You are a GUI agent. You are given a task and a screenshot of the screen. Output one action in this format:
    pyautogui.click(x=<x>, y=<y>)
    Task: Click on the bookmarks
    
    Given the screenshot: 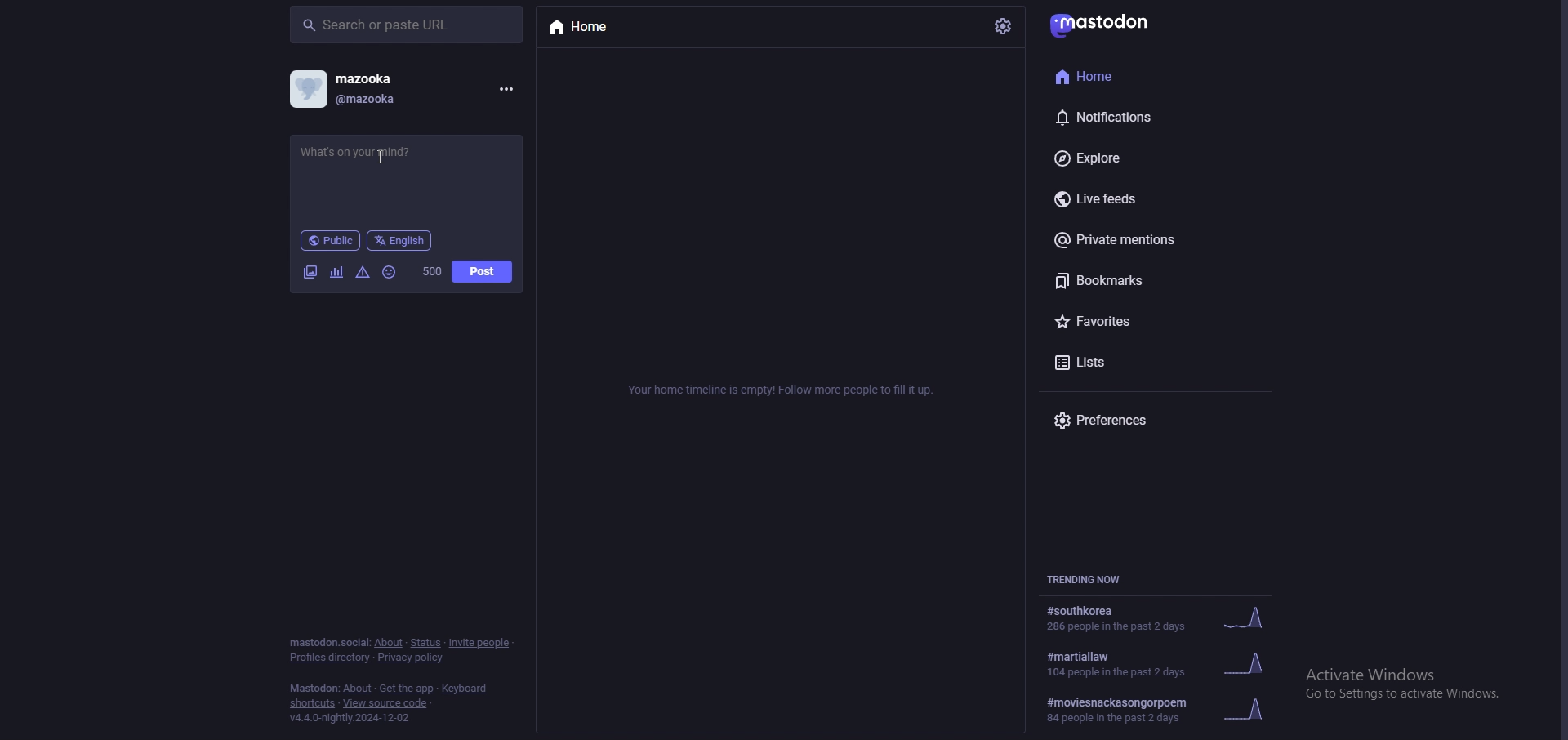 What is the action you would take?
    pyautogui.click(x=1147, y=280)
    